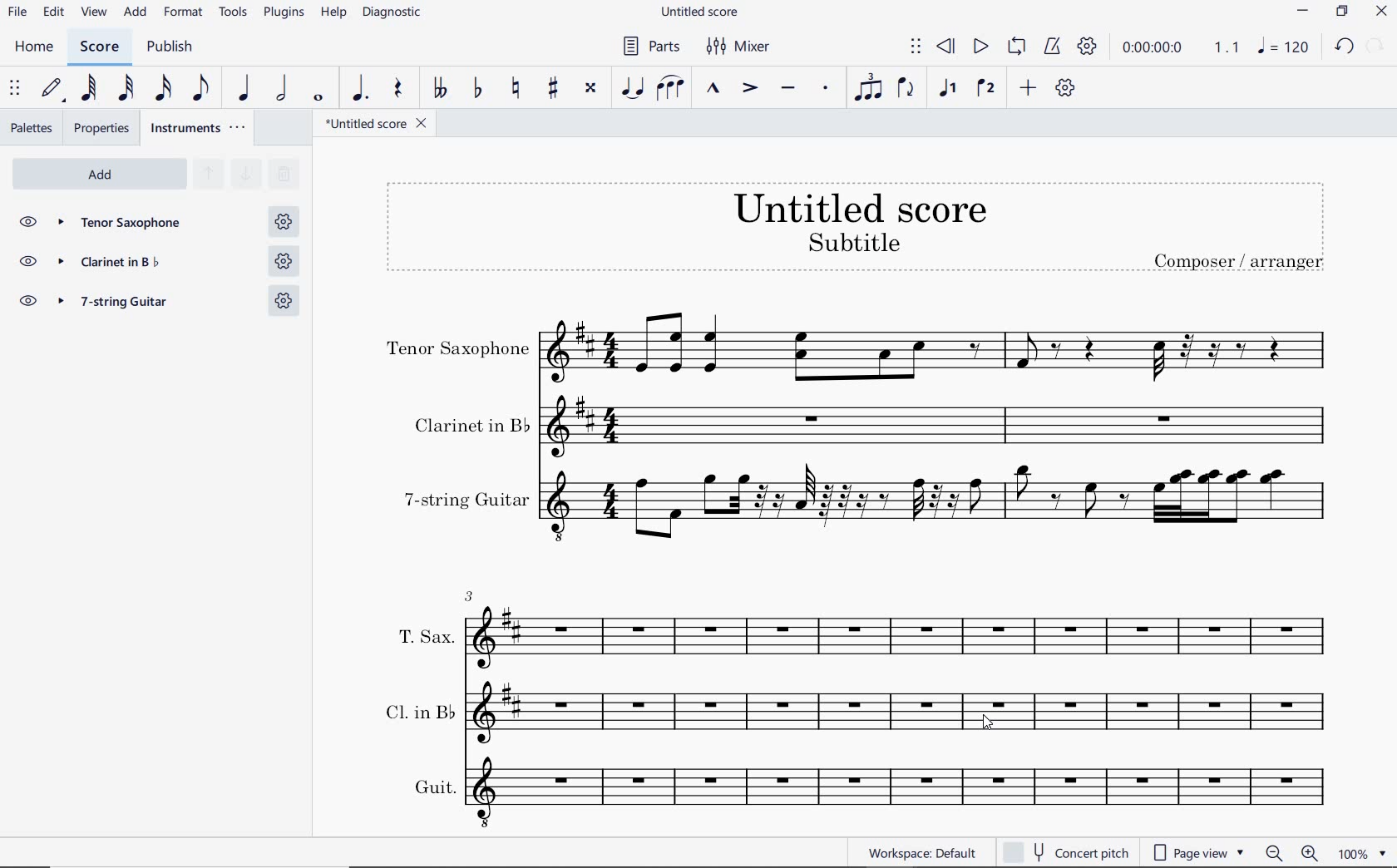 The image size is (1397, 868). Describe the element at coordinates (1344, 47) in the screenshot. I see `UNDO` at that location.